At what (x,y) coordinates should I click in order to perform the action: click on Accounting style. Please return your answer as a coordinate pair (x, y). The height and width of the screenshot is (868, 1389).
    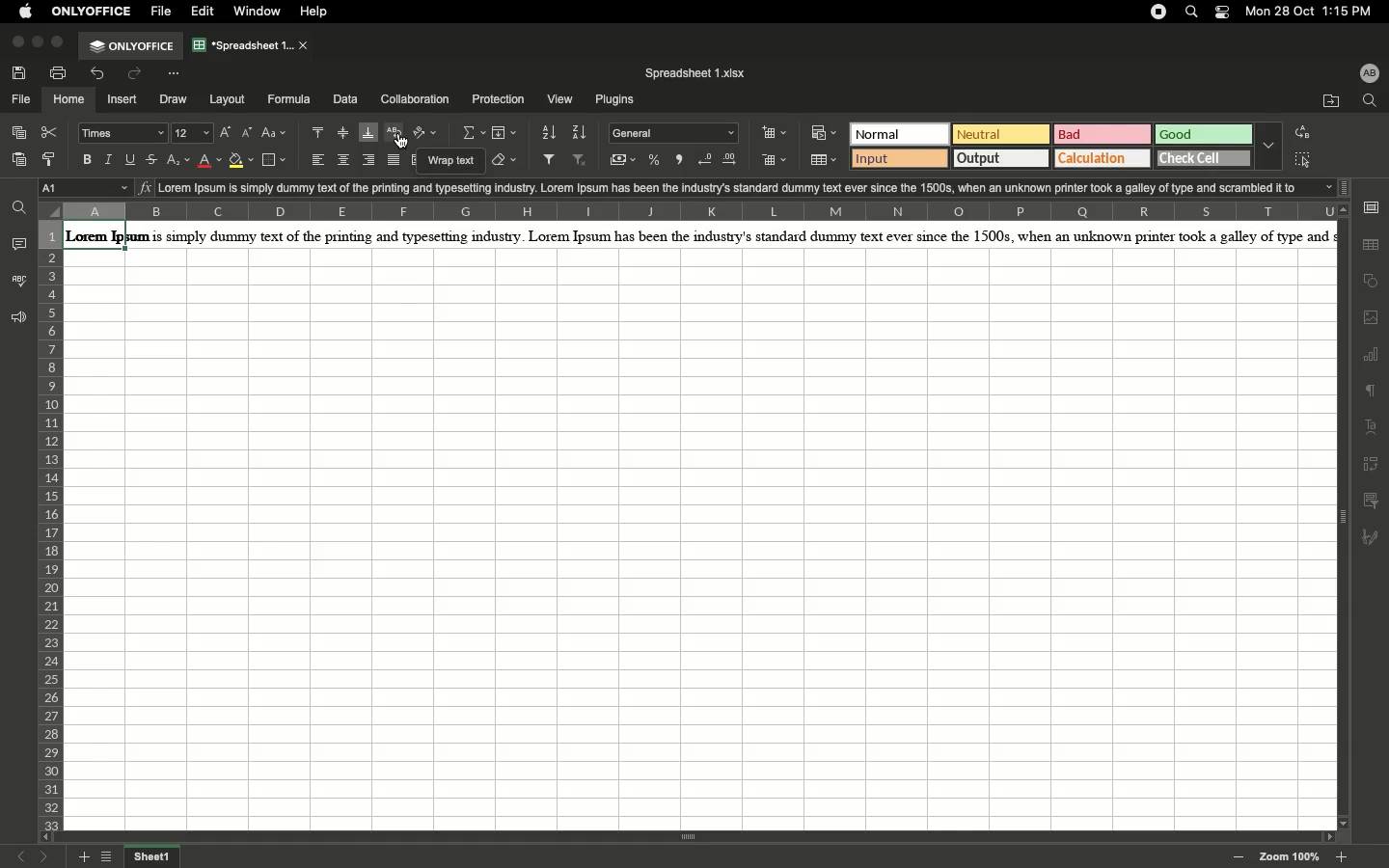
    Looking at the image, I should click on (624, 162).